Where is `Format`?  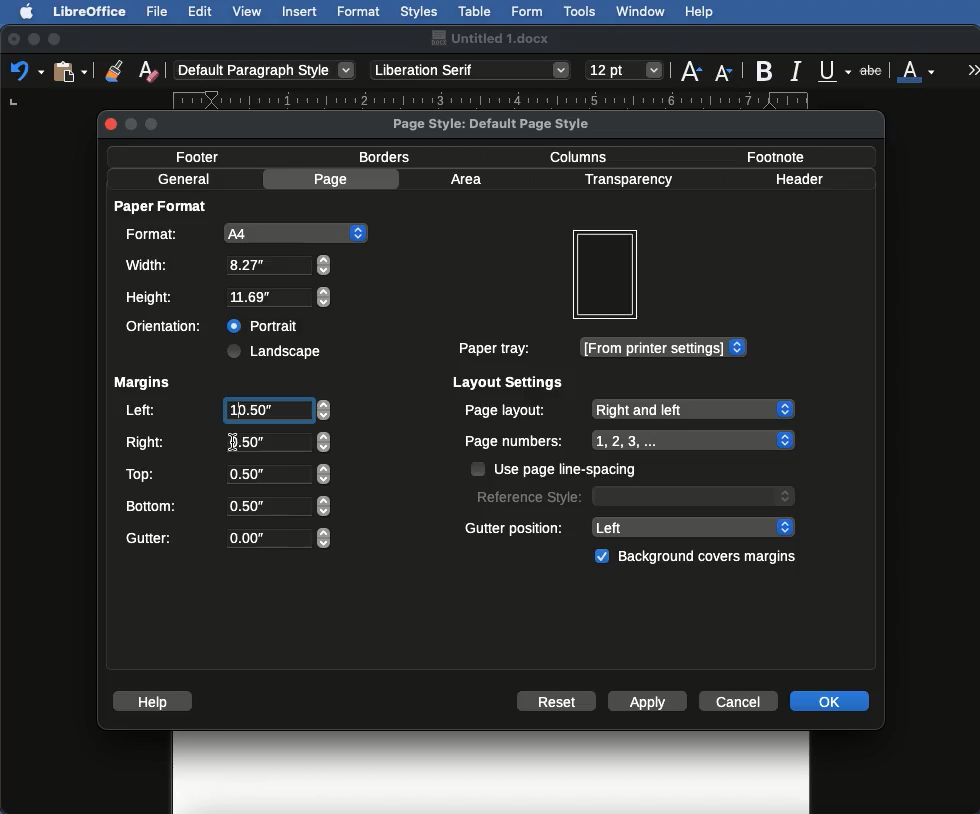
Format is located at coordinates (360, 12).